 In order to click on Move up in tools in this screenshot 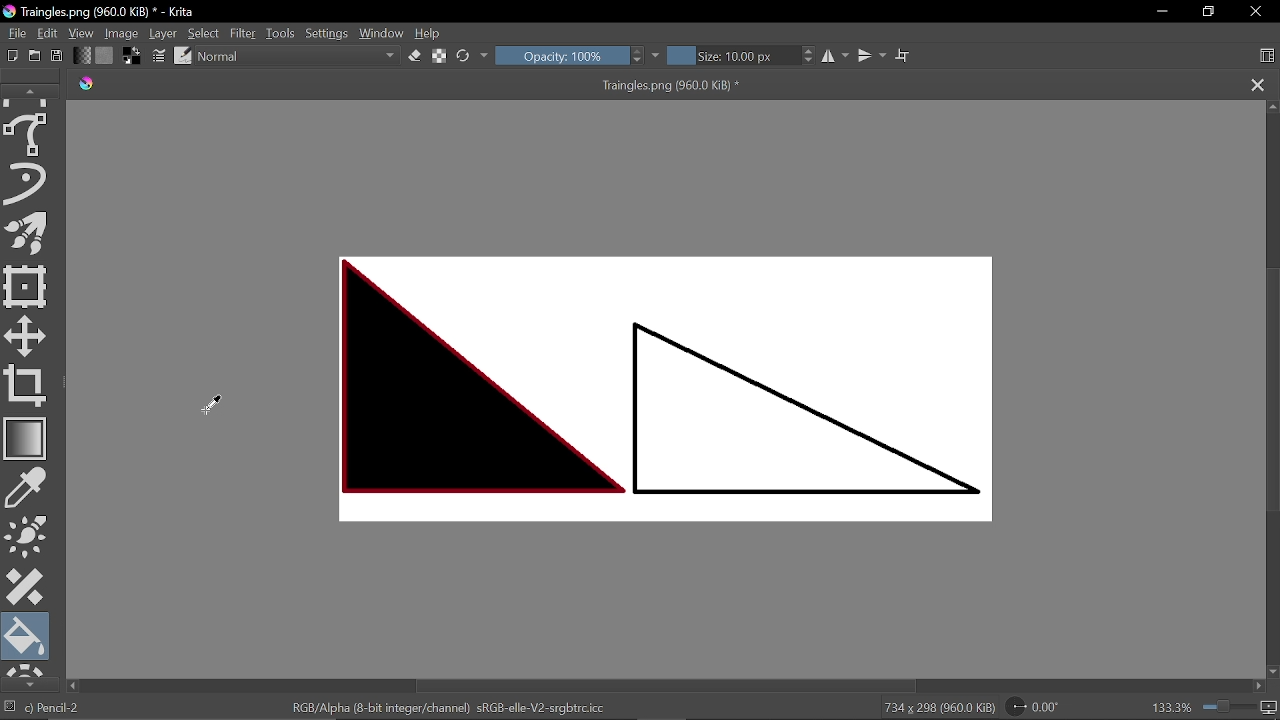, I will do `click(32, 92)`.